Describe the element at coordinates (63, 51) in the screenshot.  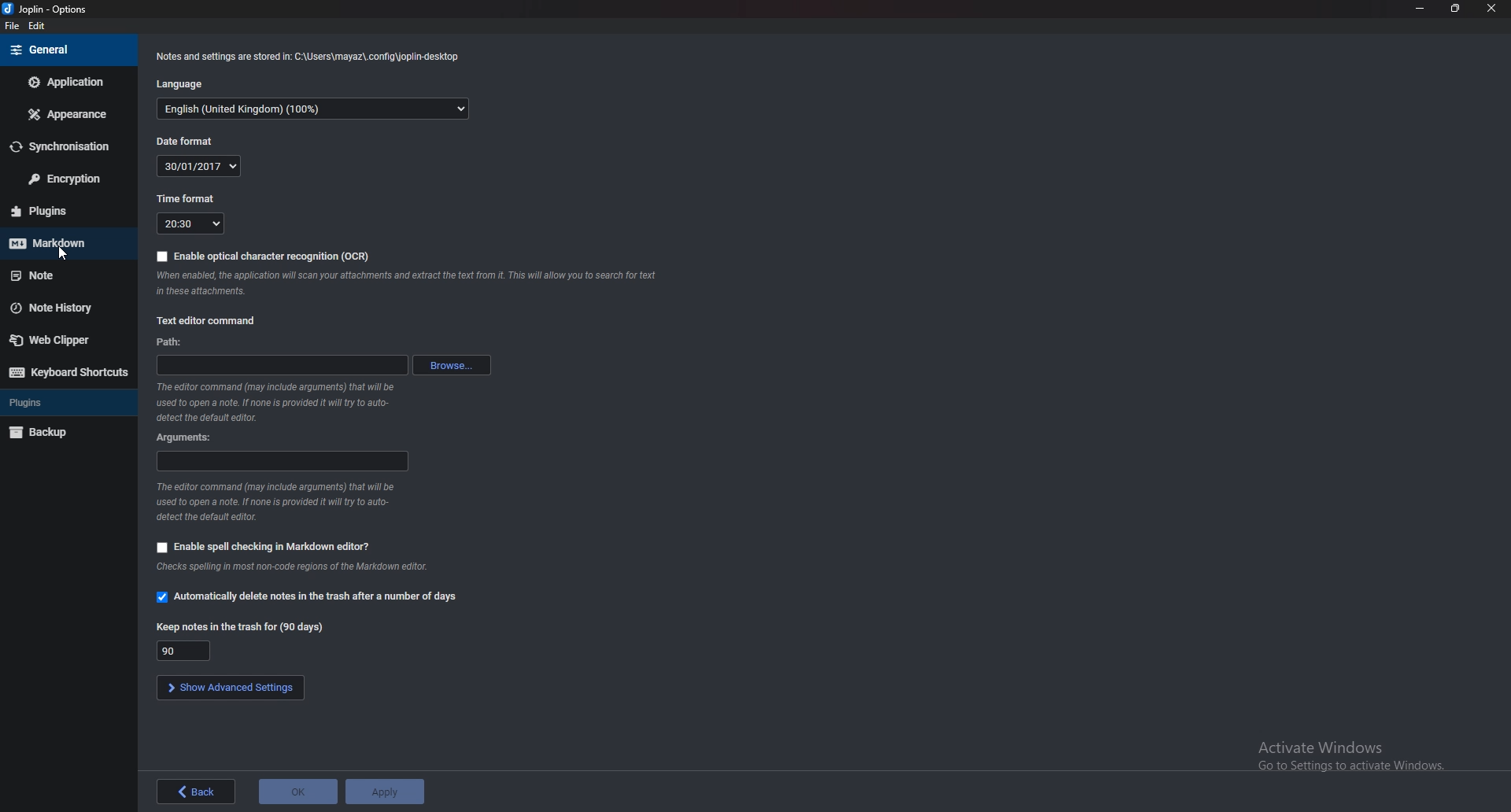
I see `general` at that location.